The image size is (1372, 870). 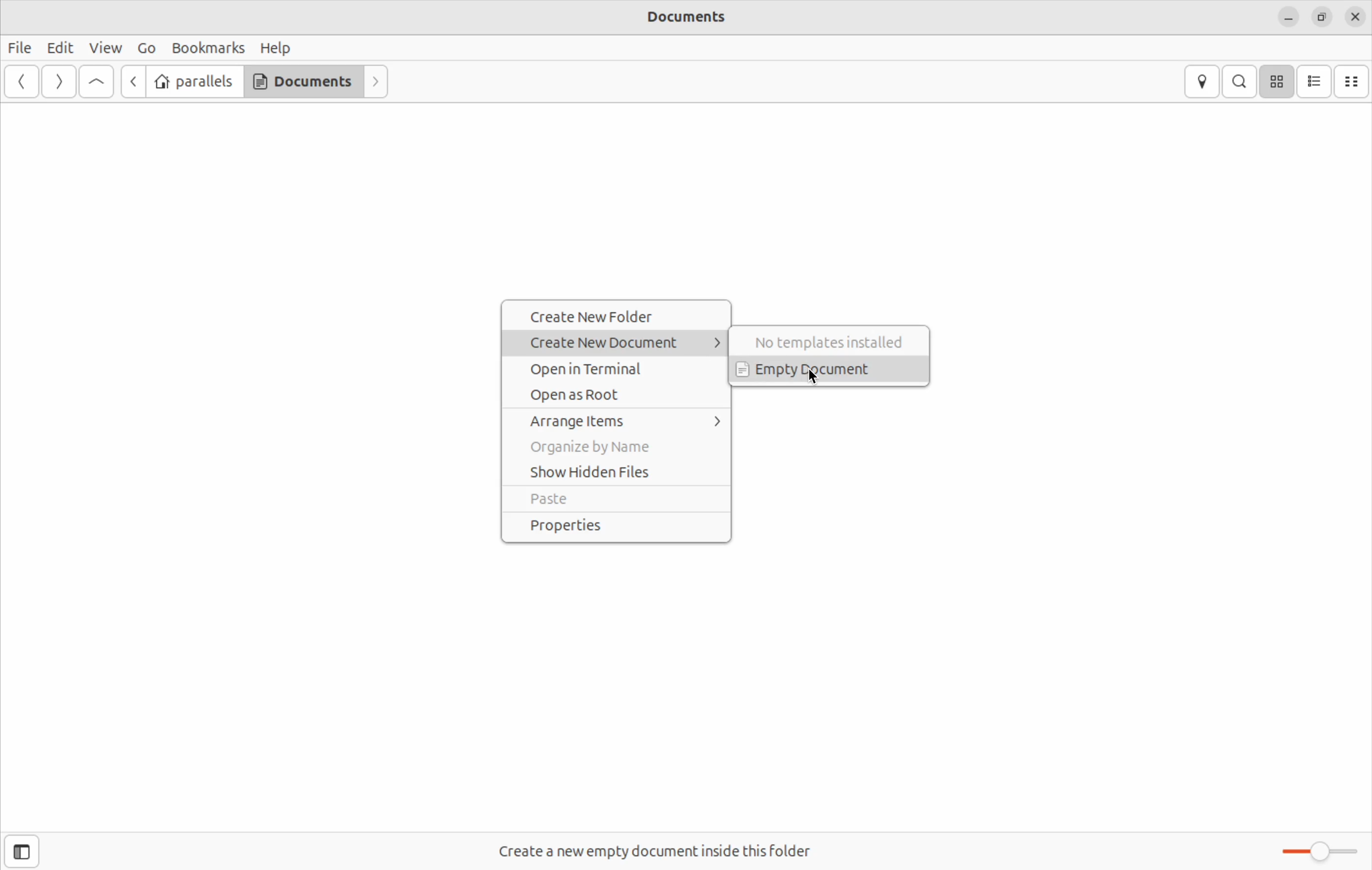 I want to click on documents, so click(x=303, y=81).